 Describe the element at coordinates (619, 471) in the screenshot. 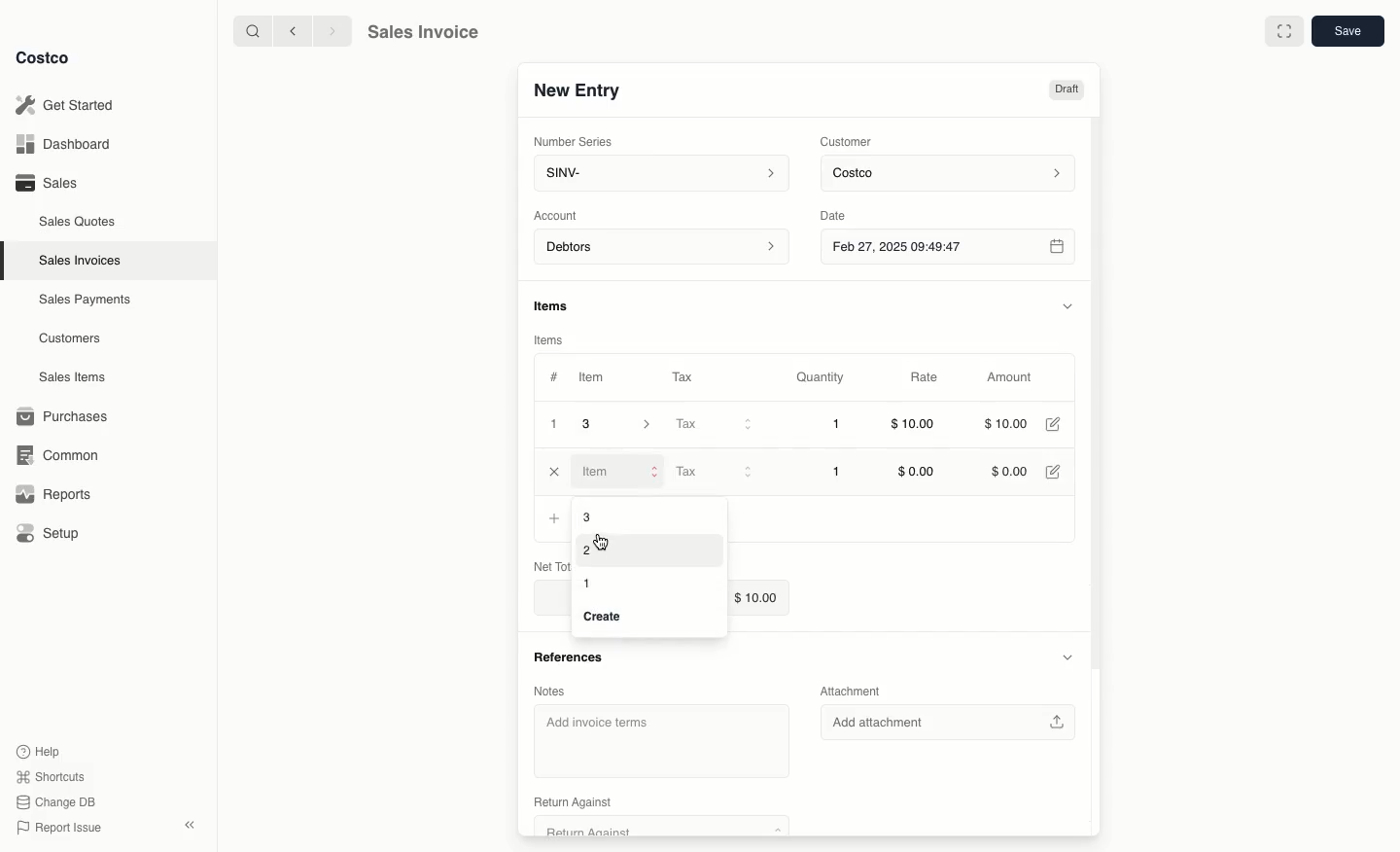

I see `Item` at that location.